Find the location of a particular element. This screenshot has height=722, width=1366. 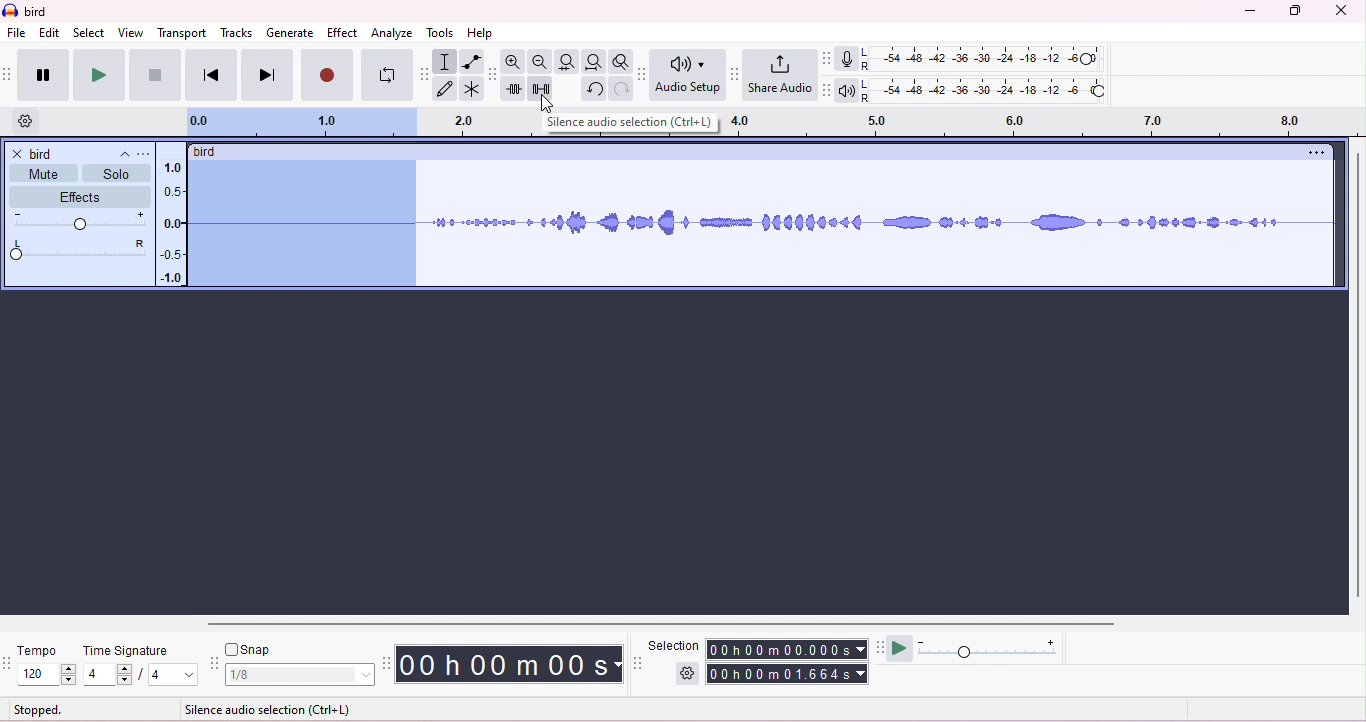

zoom out is located at coordinates (540, 62).